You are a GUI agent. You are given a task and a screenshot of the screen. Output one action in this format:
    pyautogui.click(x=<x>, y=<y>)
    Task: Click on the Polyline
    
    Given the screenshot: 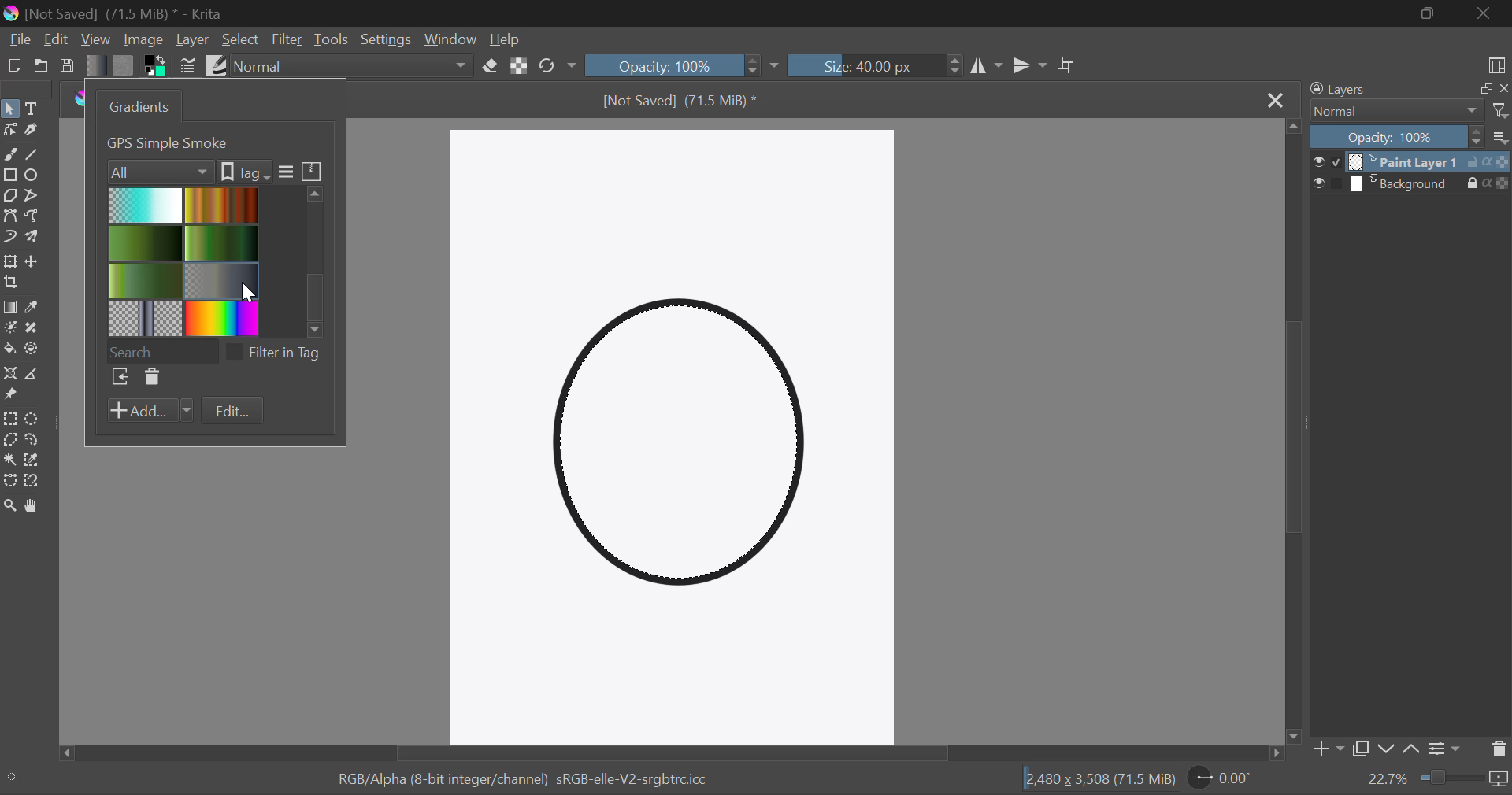 What is the action you would take?
    pyautogui.click(x=36, y=198)
    